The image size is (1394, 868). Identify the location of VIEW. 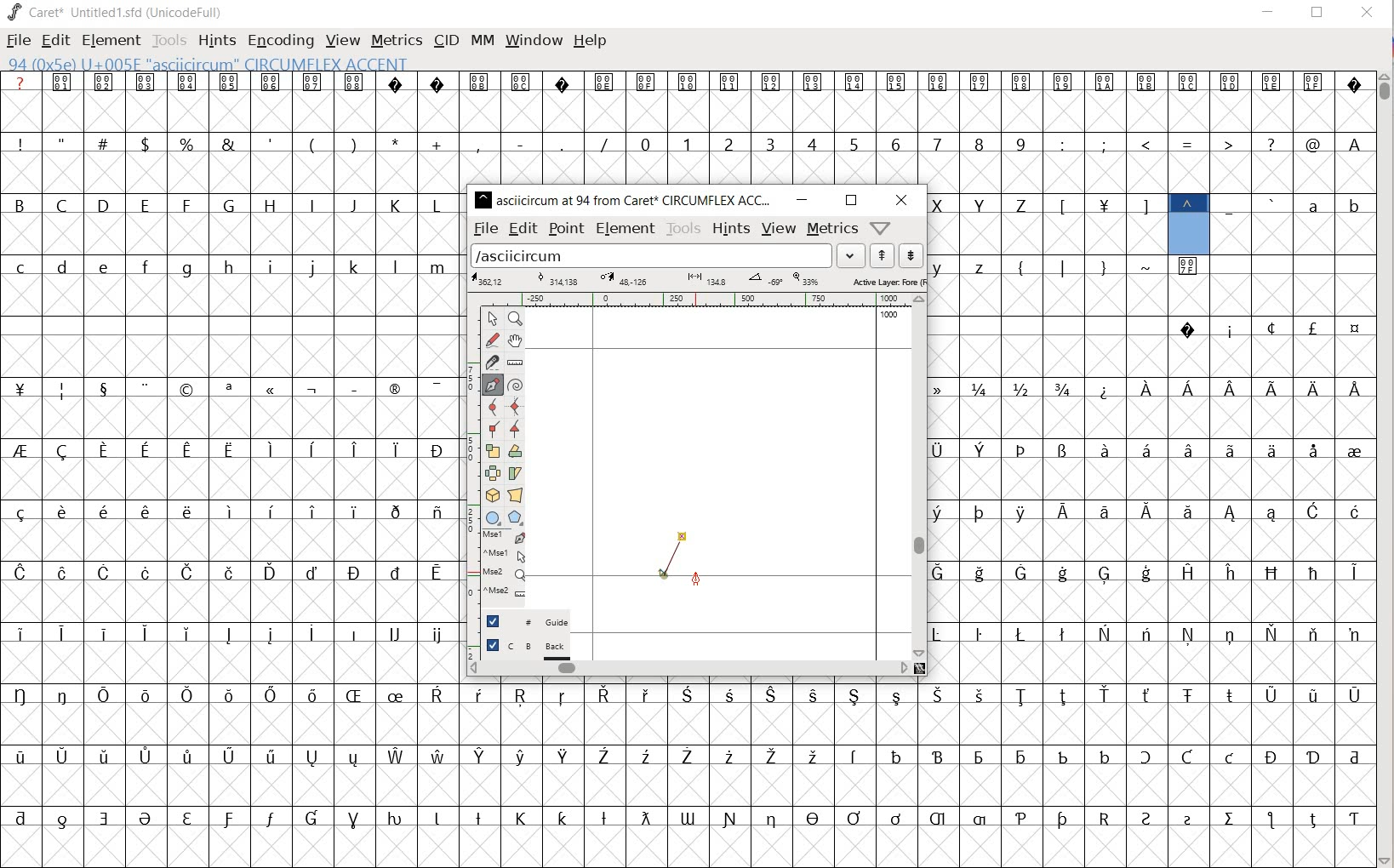
(342, 41).